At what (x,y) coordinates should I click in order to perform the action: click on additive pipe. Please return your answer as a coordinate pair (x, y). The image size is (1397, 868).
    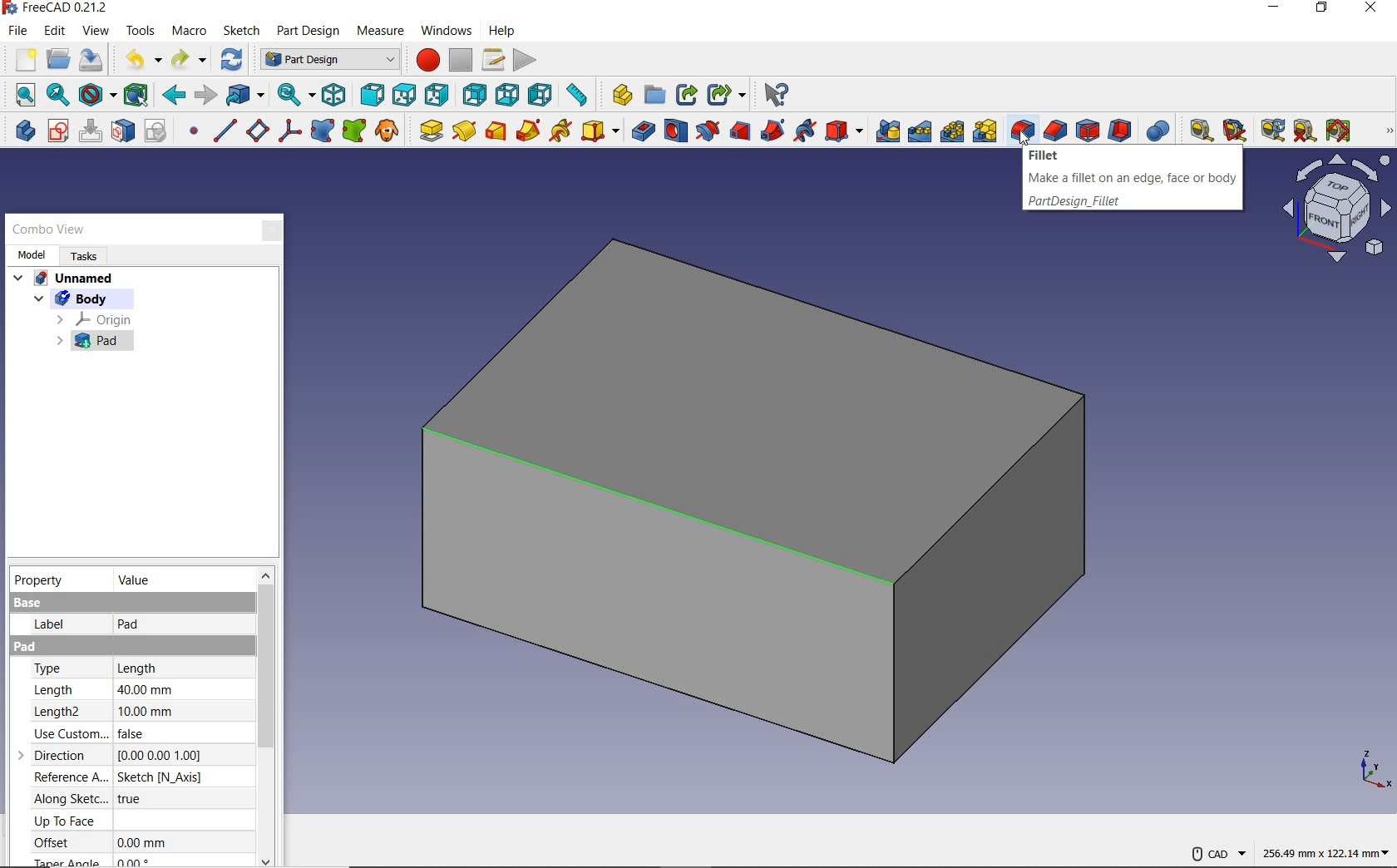
    Looking at the image, I should click on (531, 131).